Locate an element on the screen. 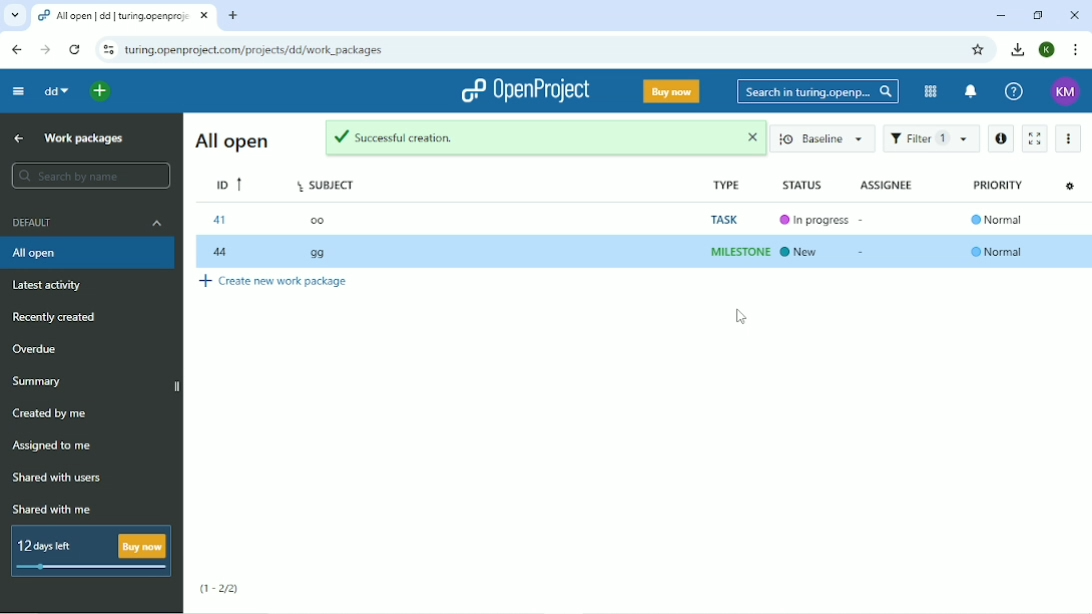 Image resolution: width=1092 pixels, height=614 pixels. Task is located at coordinates (735, 215).